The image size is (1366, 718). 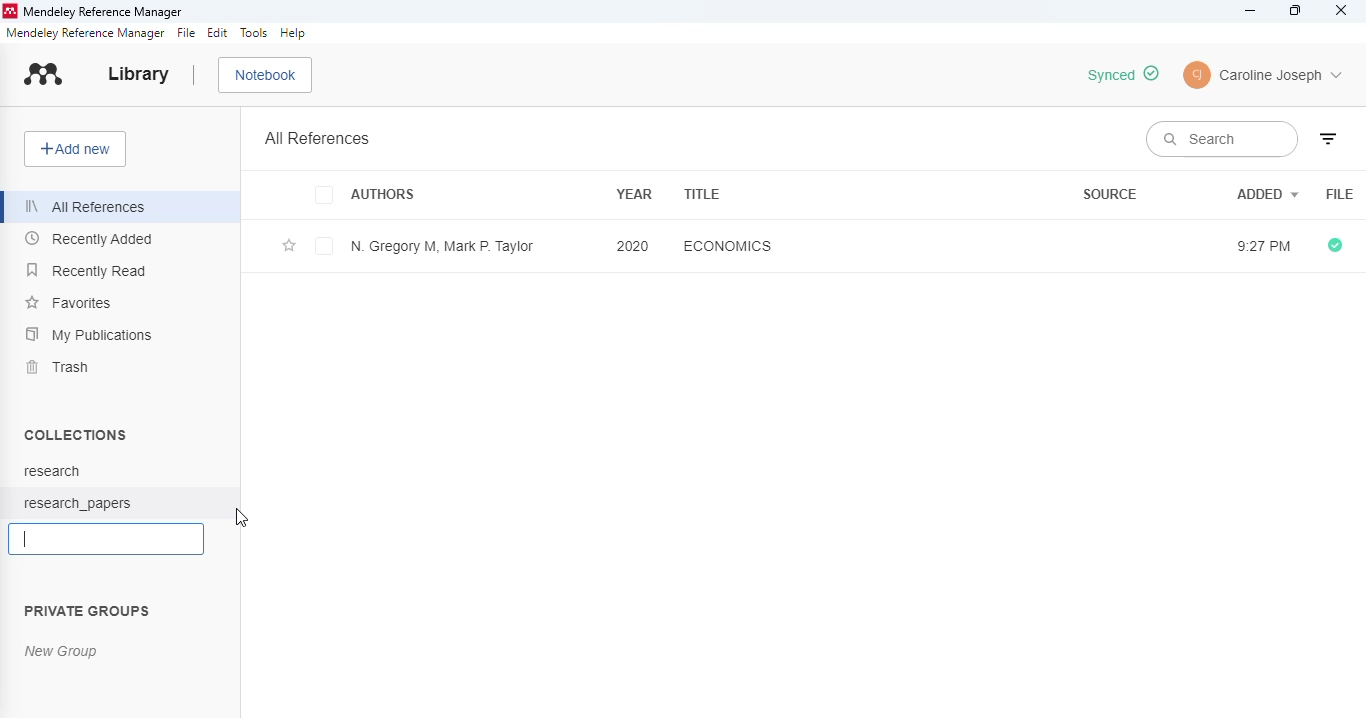 I want to click on user icon, so click(x=1198, y=75).